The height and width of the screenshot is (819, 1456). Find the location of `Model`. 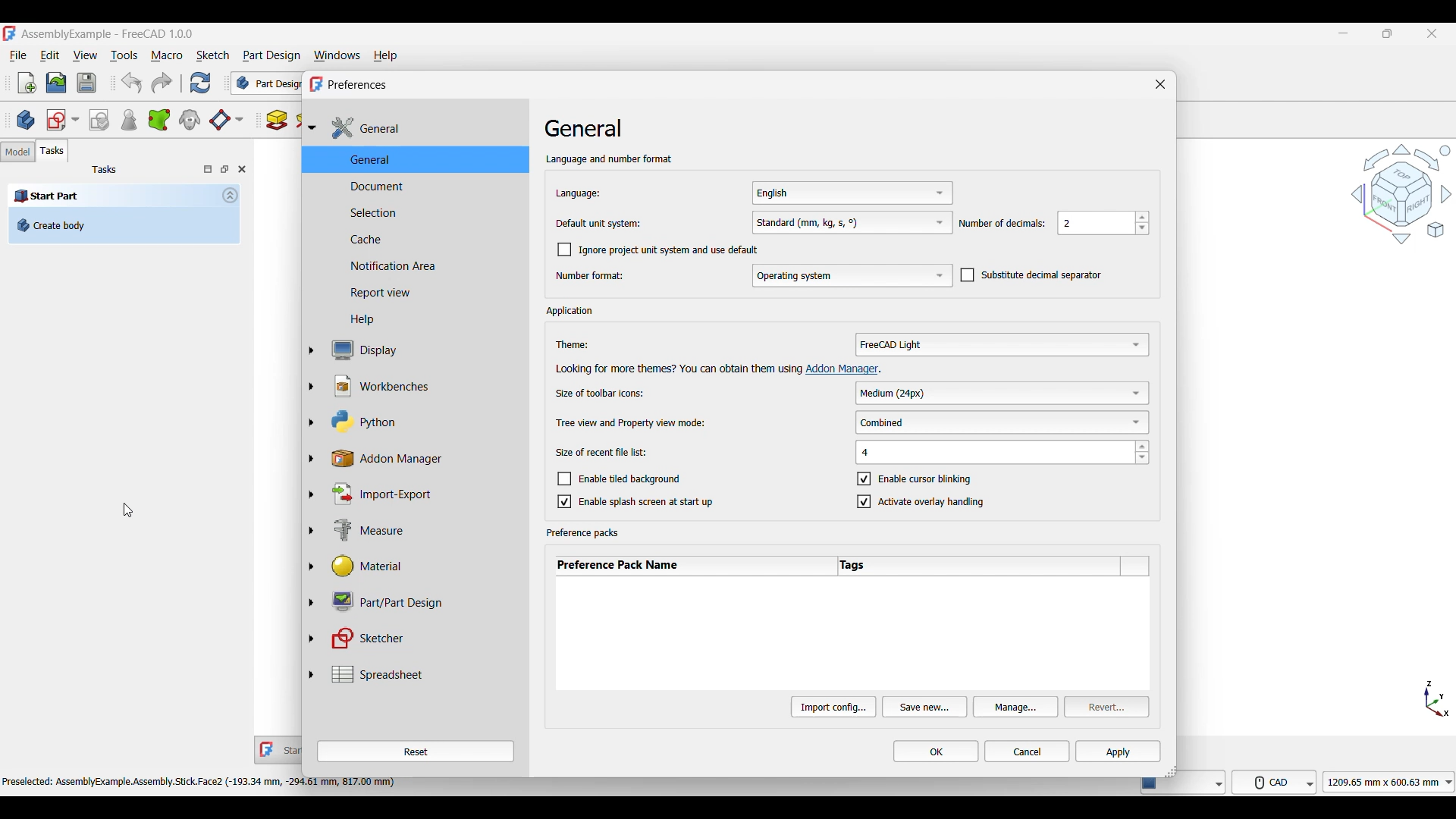

Model is located at coordinates (18, 152).